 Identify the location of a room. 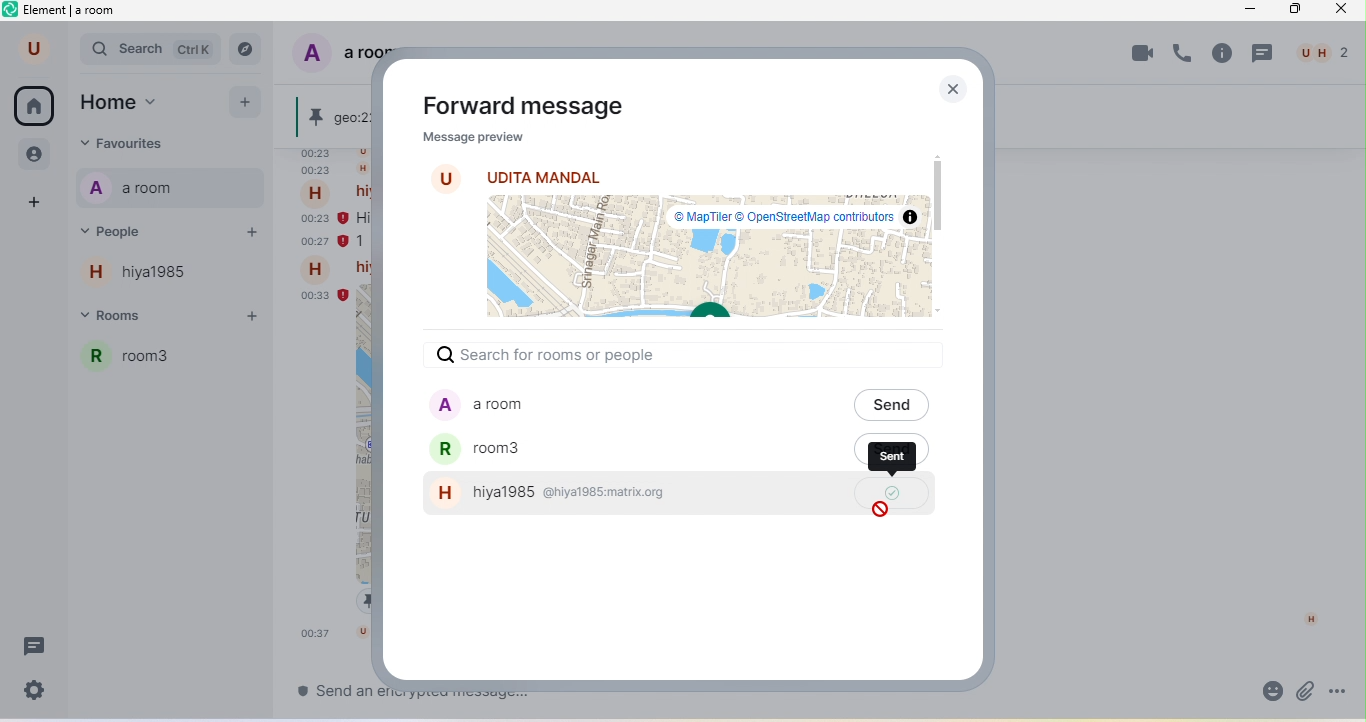
(626, 406).